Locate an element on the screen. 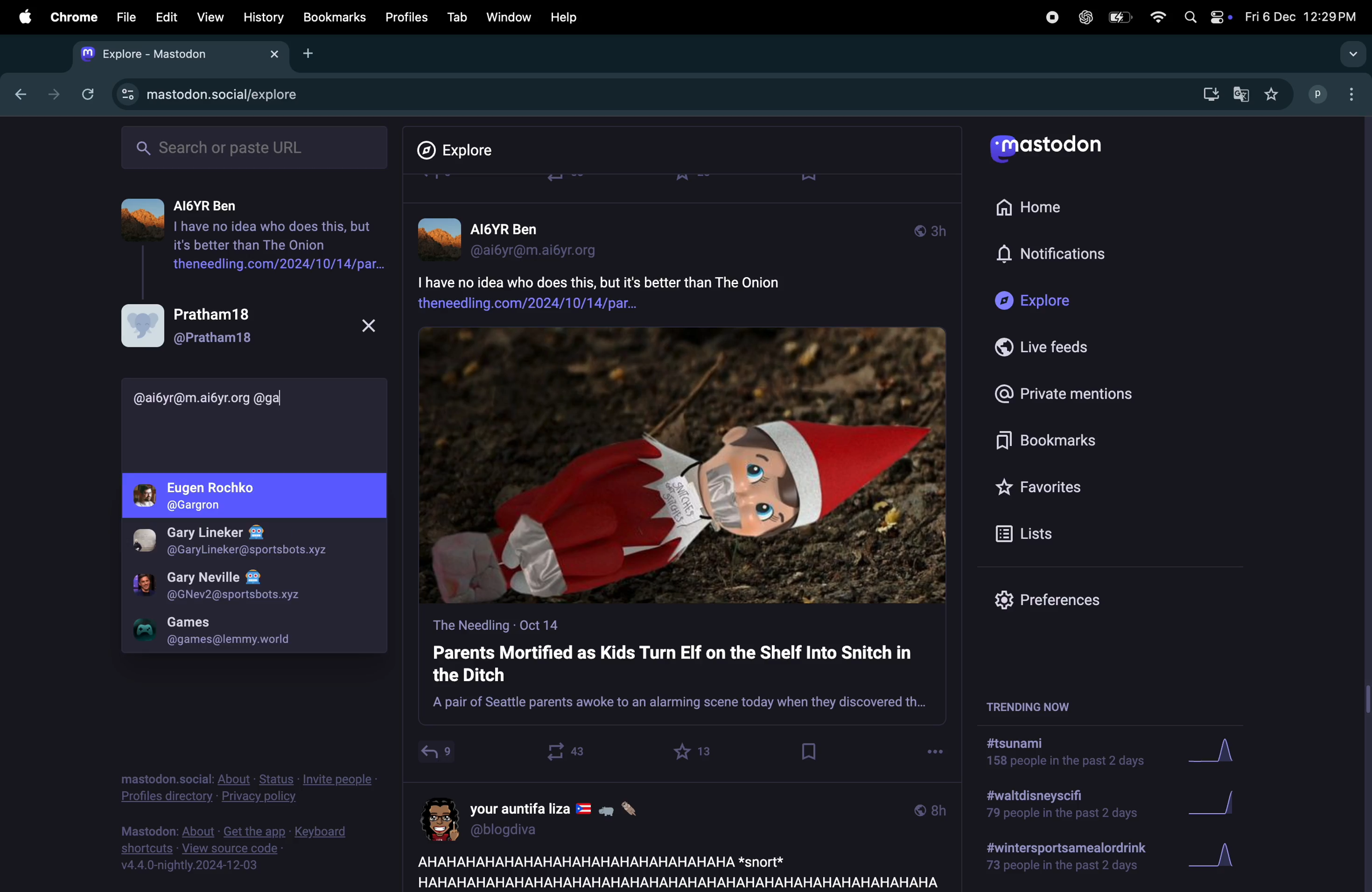 The image size is (1372, 892). Bookmarks is located at coordinates (1053, 443).